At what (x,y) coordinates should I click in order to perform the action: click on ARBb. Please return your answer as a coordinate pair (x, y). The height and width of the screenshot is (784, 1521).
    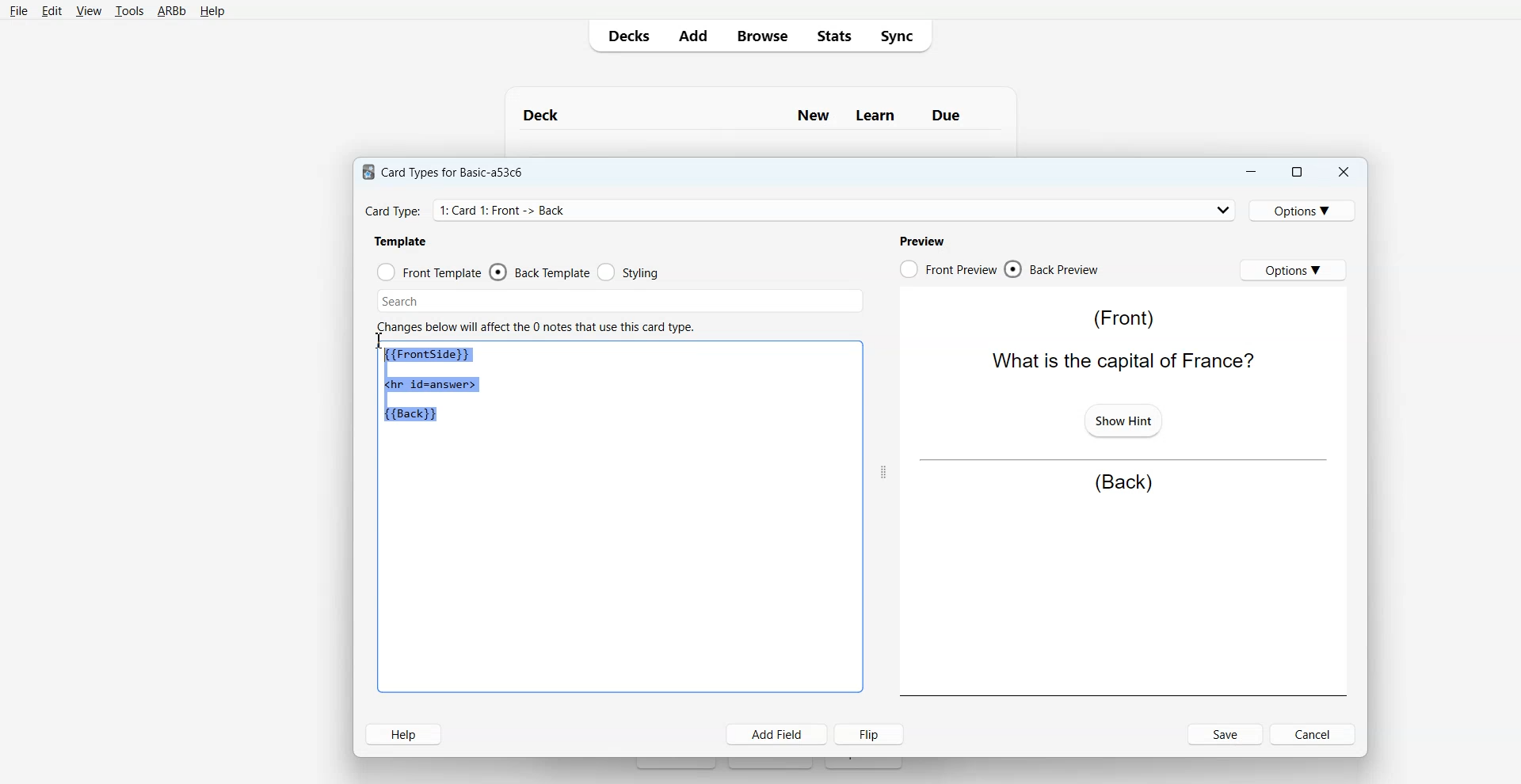
    Looking at the image, I should click on (170, 12).